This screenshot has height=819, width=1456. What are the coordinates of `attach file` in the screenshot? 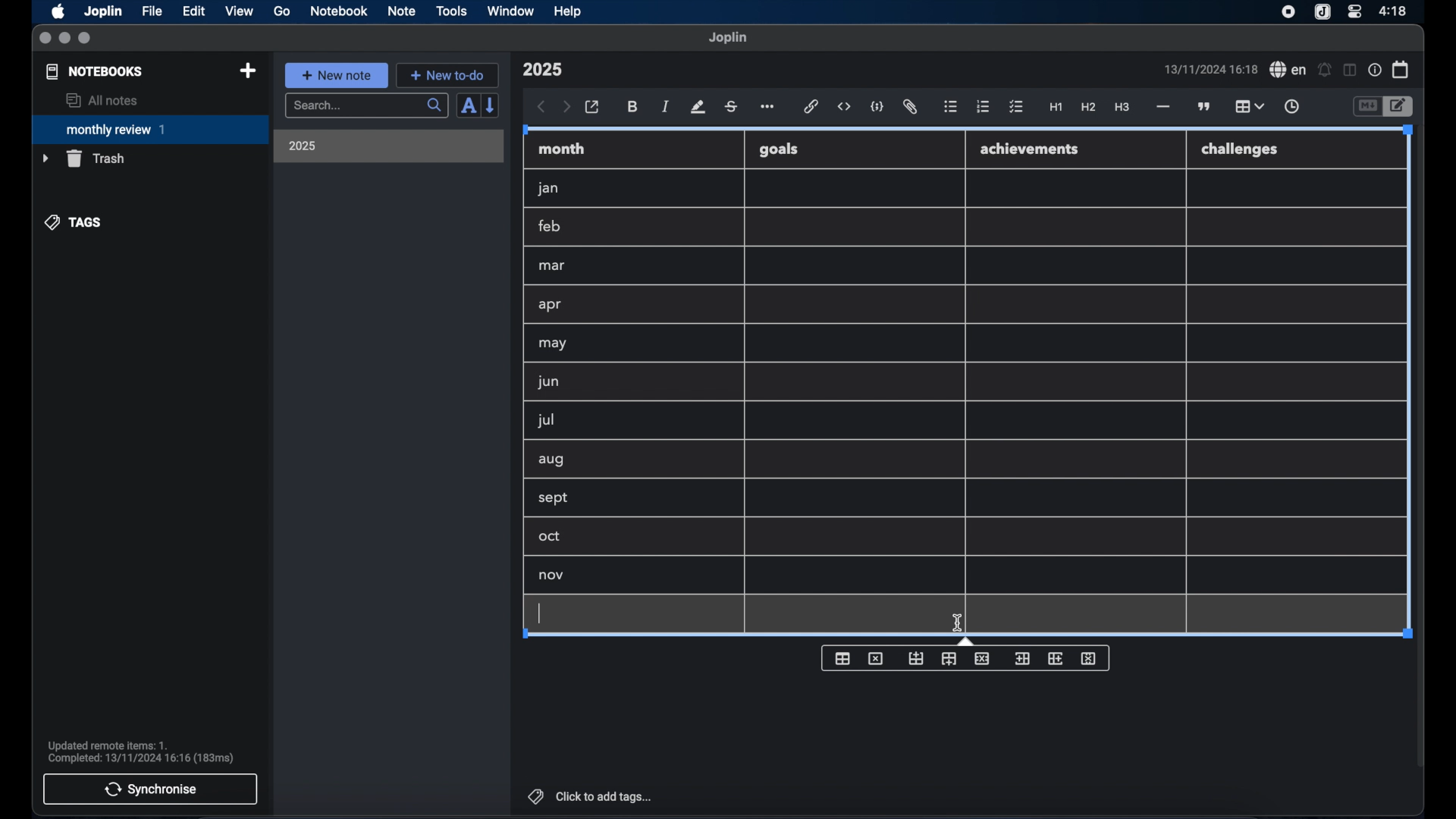 It's located at (910, 107).